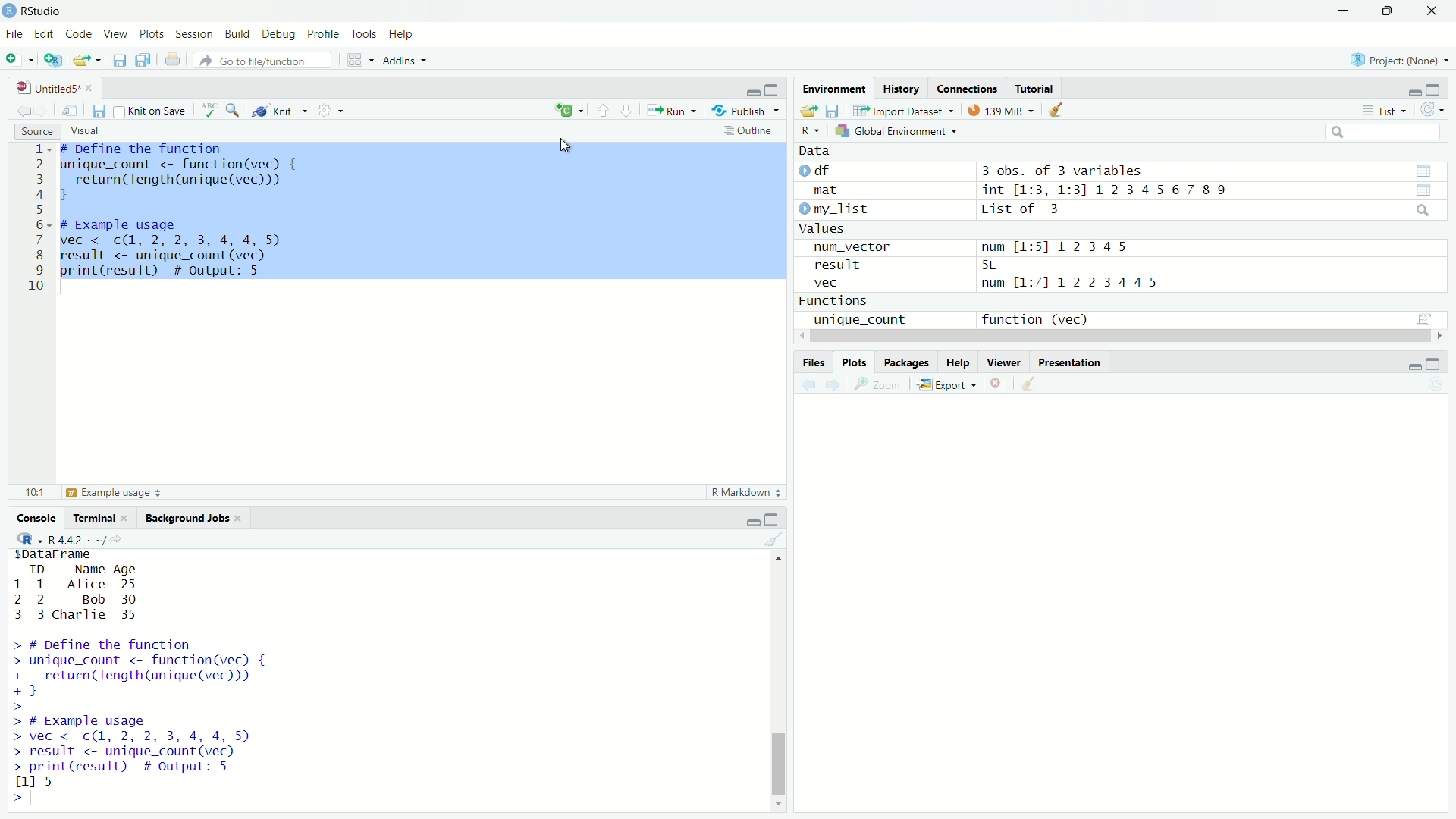  What do you see at coordinates (33, 493) in the screenshot?
I see `10:1` at bounding box center [33, 493].